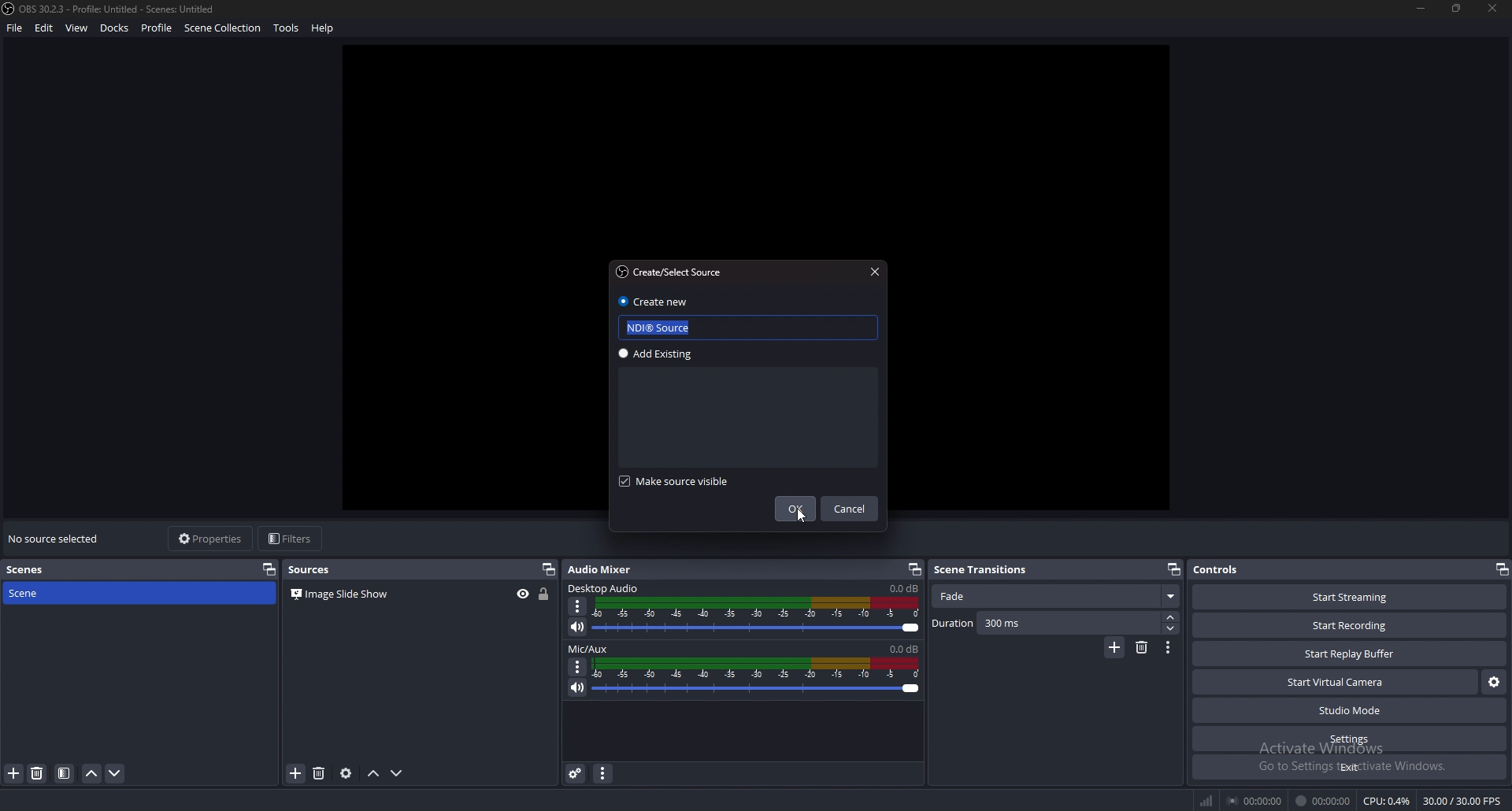 The width and height of the screenshot is (1512, 811). I want to click on audio mixer menu, so click(602, 774).